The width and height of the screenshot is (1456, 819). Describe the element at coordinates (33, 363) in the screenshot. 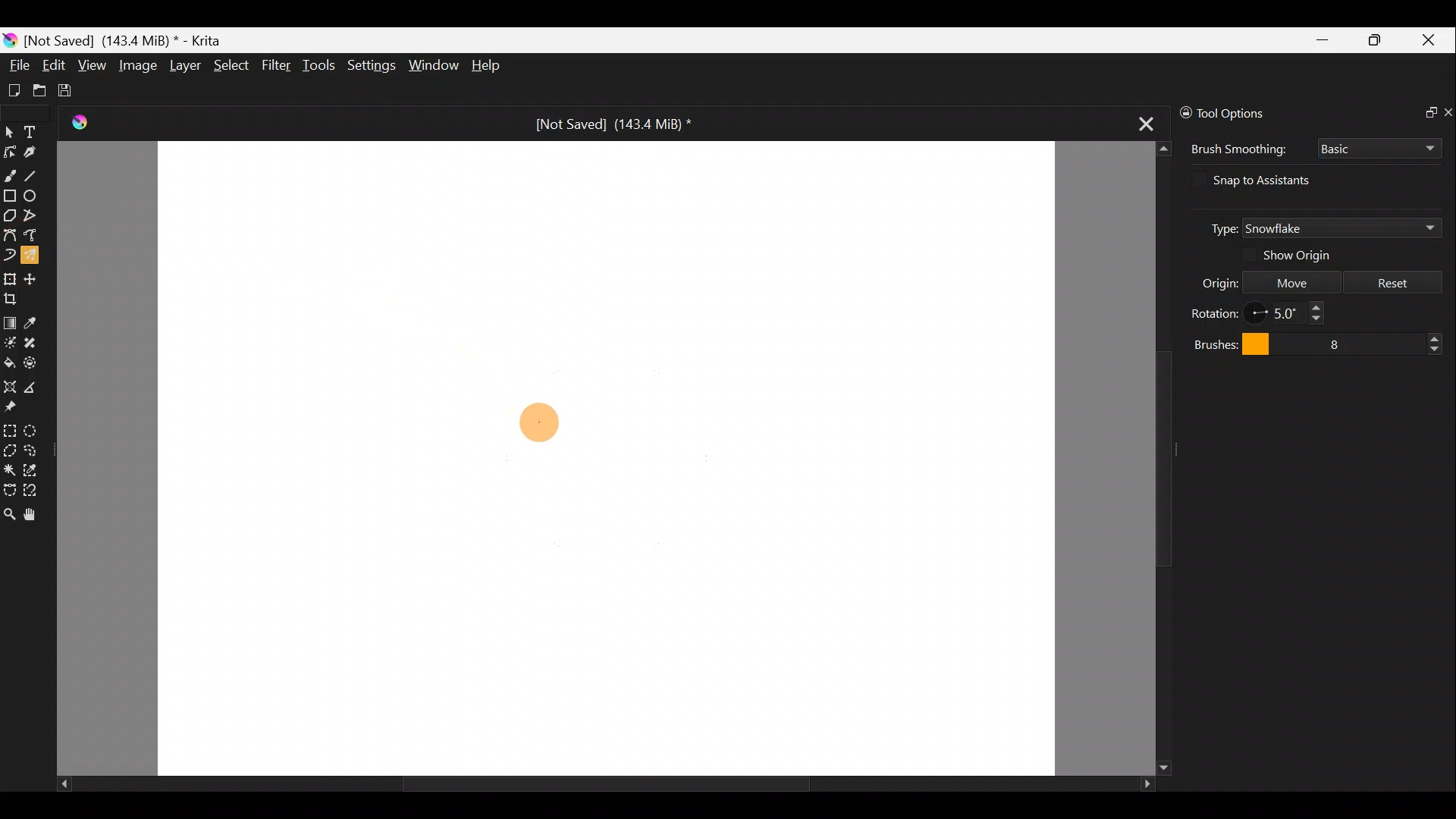

I see `Enclose and fill tool` at that location.